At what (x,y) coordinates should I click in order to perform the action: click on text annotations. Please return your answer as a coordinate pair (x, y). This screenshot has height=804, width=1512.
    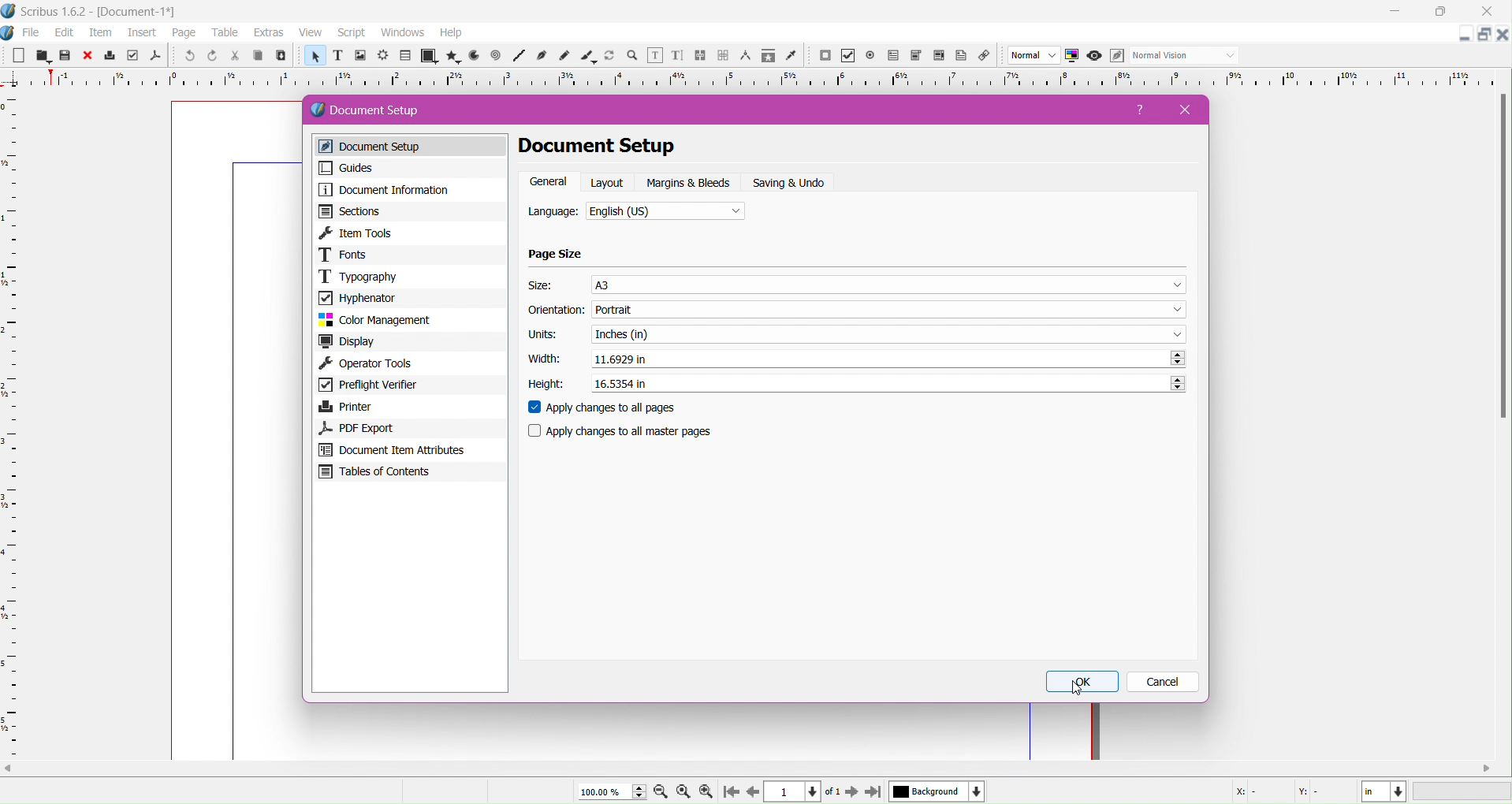
    Looking at the image, I should click on (964, 56).